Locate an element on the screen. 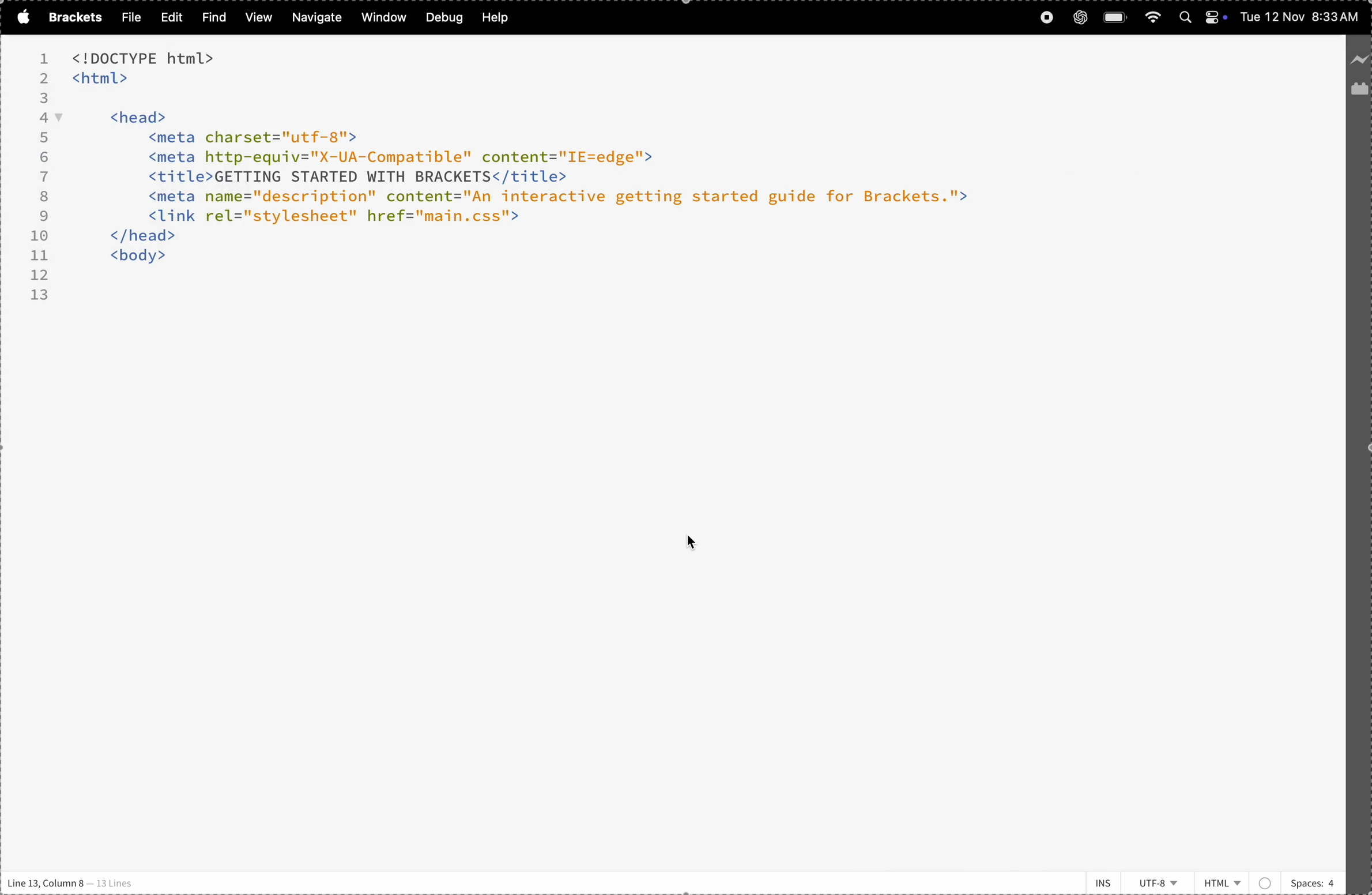  html  is located at coordinates (1237, 879).